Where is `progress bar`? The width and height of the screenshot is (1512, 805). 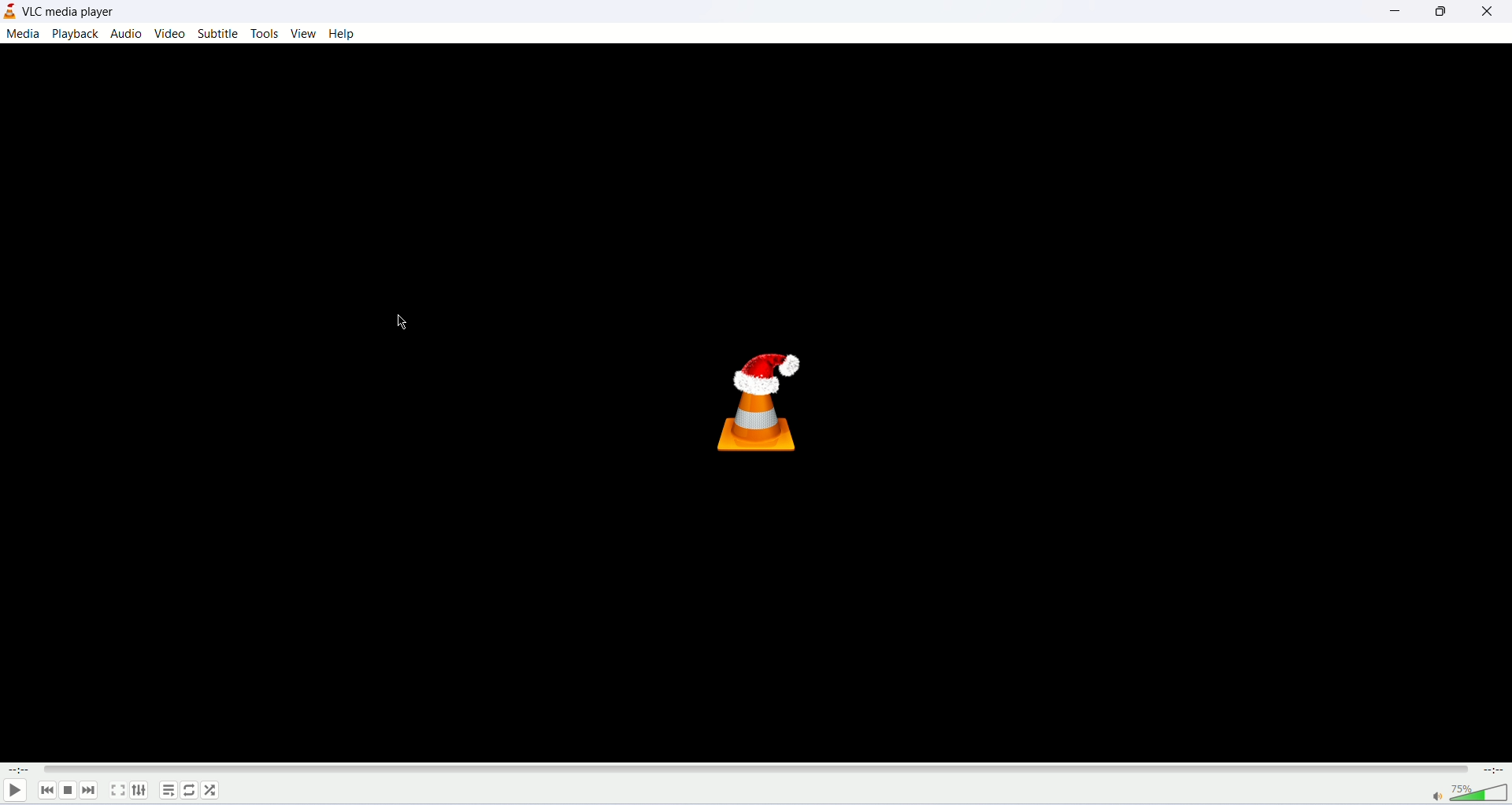
progress bar is located at coordinates (753, 770).